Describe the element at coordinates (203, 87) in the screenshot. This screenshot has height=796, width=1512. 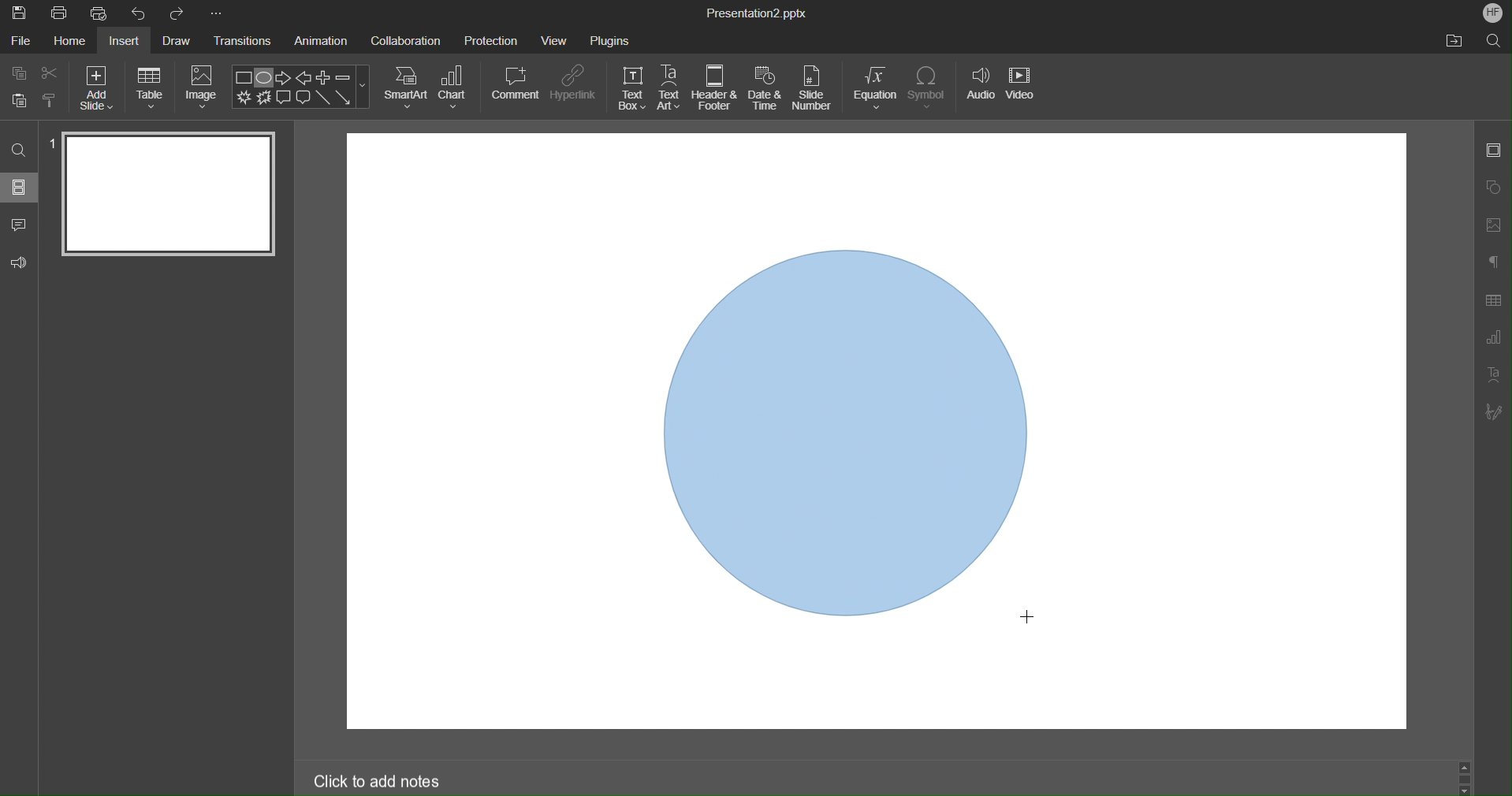
I see `Image` at that location.